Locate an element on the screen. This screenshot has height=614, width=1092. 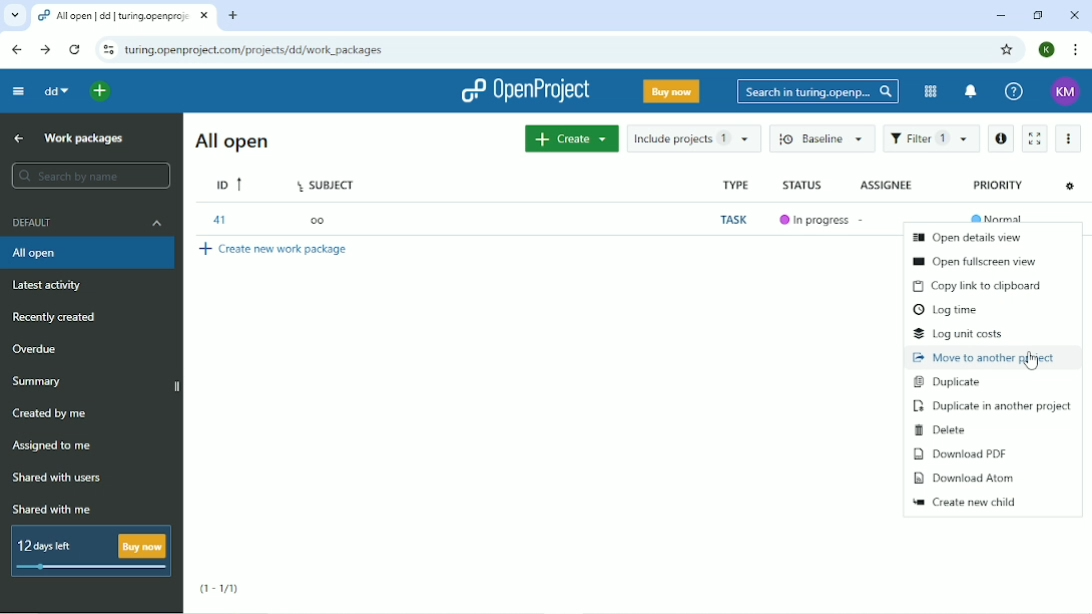
View site information is located at coordinates (107, 50).